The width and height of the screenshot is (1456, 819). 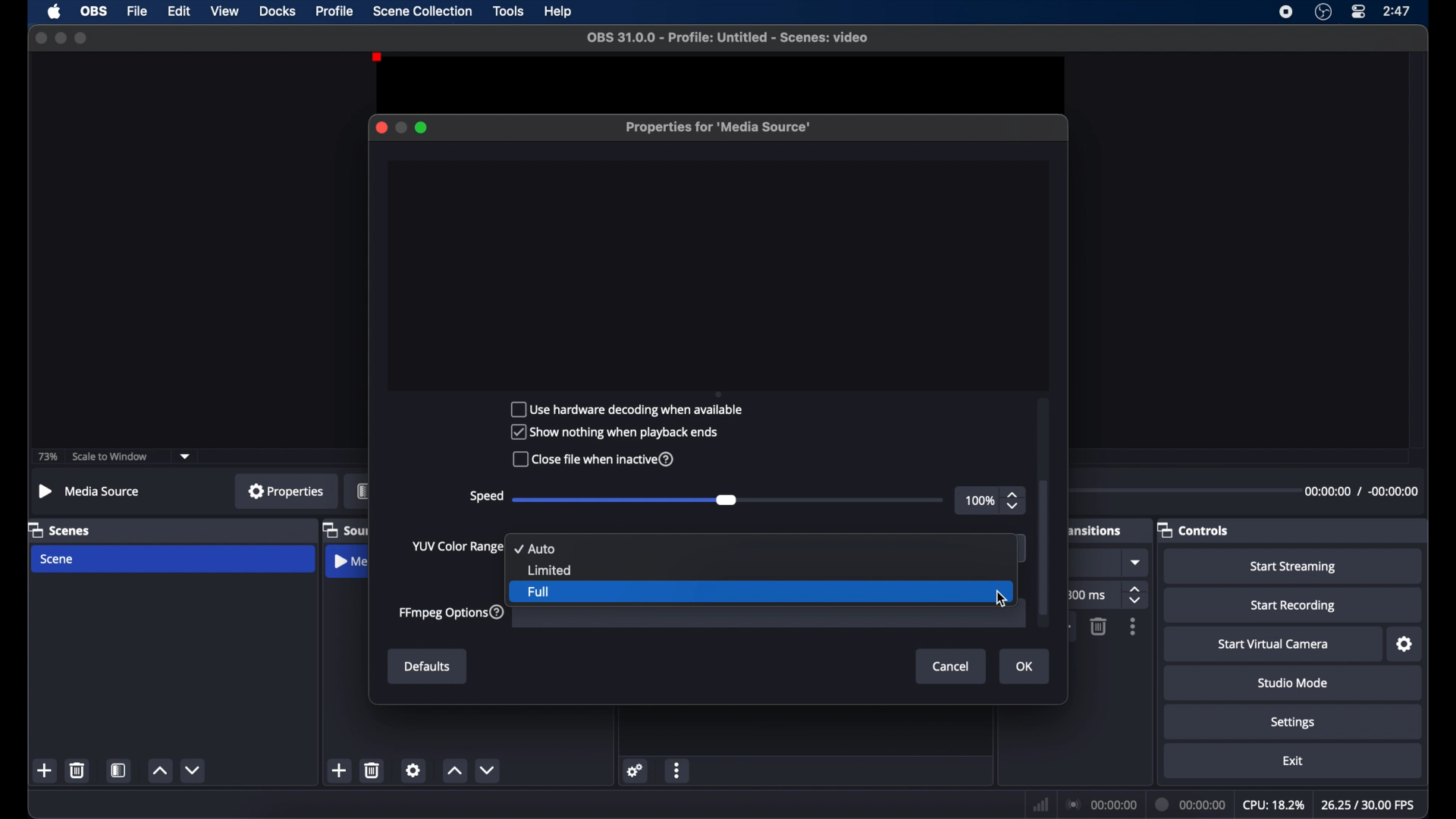 What do you see at coordinates (94, 11) in the screenshot?
I see `obs` at bounding box center [94, 11].